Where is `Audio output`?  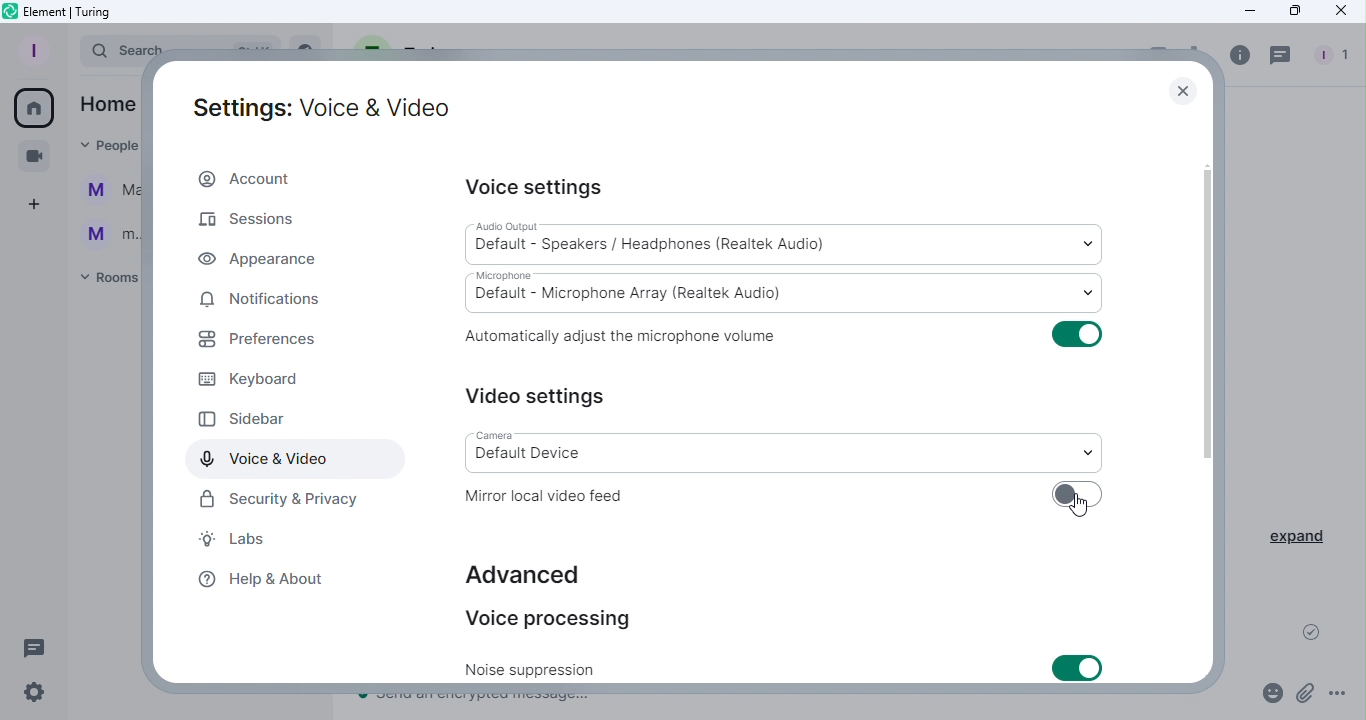 Audio output is located at coordinates (785, 242).